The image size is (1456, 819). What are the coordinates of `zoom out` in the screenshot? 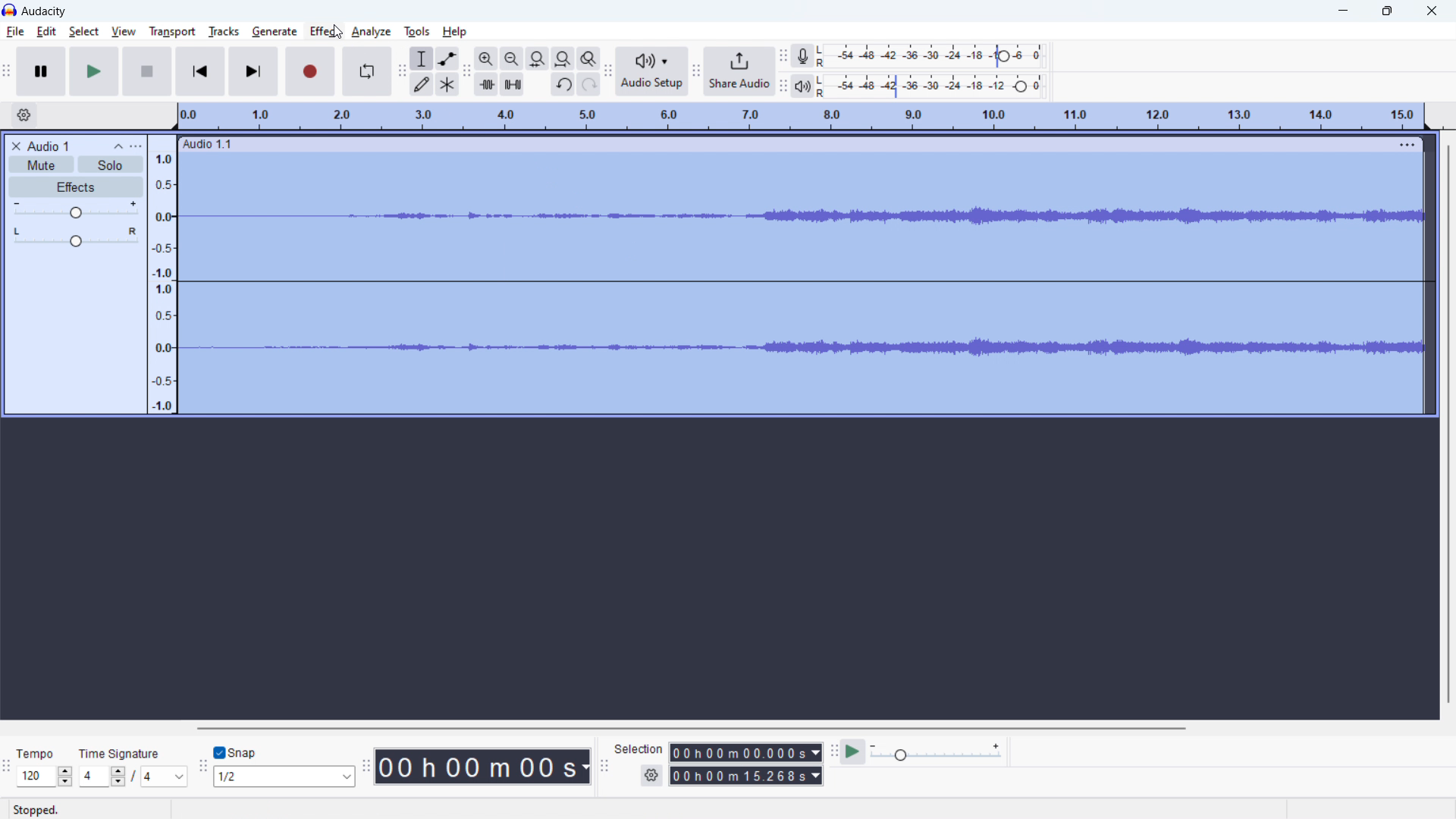 It's located at (511, 58).